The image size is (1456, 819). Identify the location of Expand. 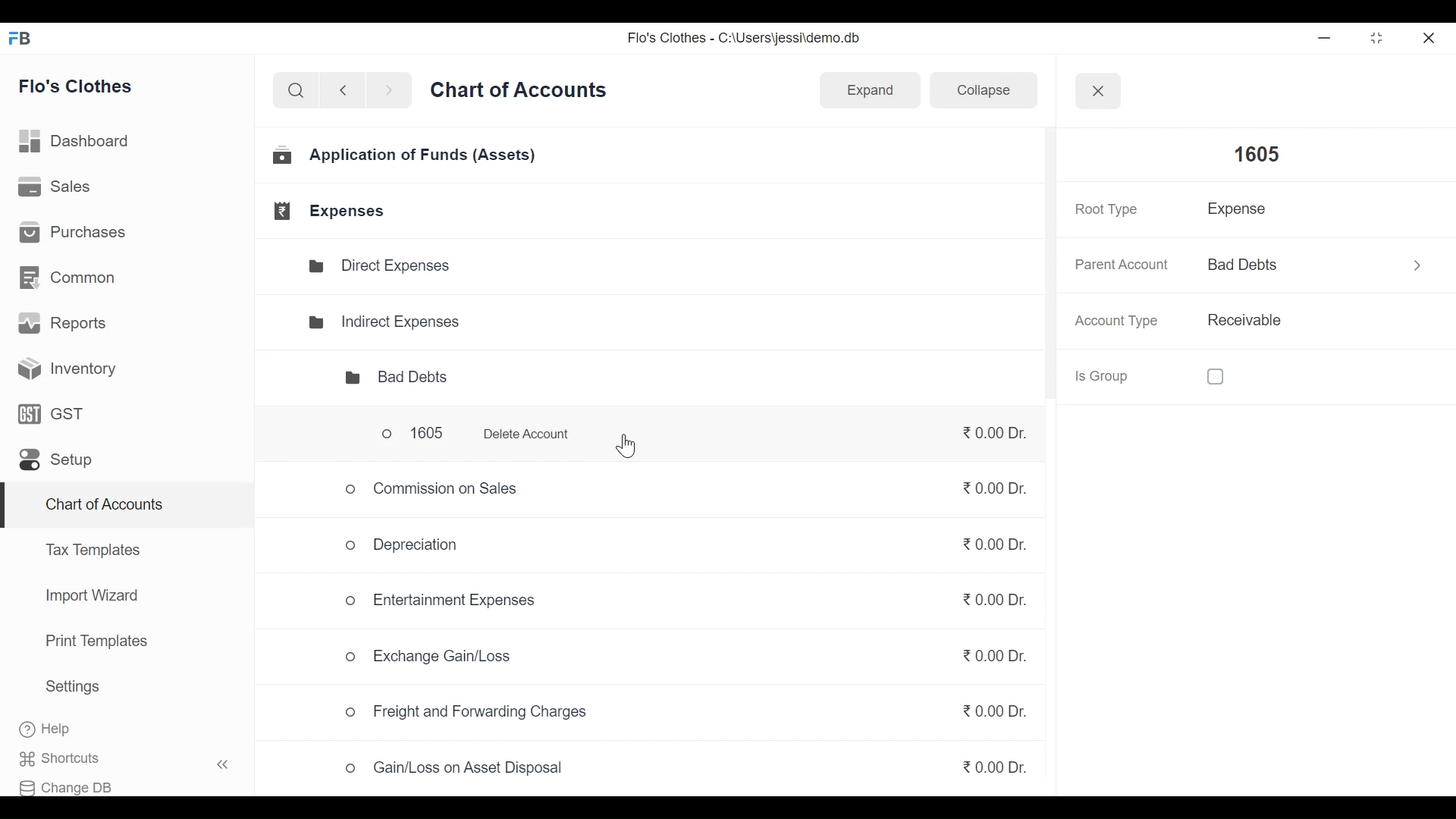
(869, 89).